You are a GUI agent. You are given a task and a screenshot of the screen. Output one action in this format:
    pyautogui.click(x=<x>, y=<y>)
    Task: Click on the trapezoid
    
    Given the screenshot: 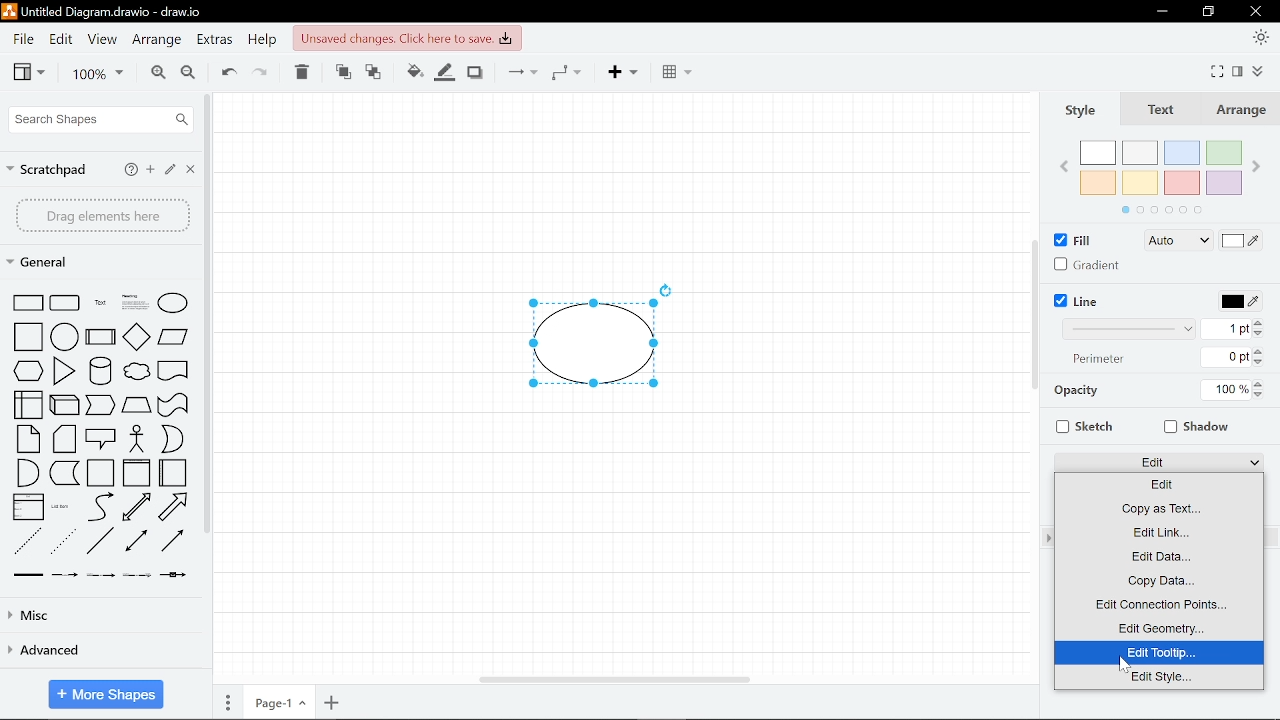 What is the action you would take?
    pyautogui.click(x=137, y=407)
    